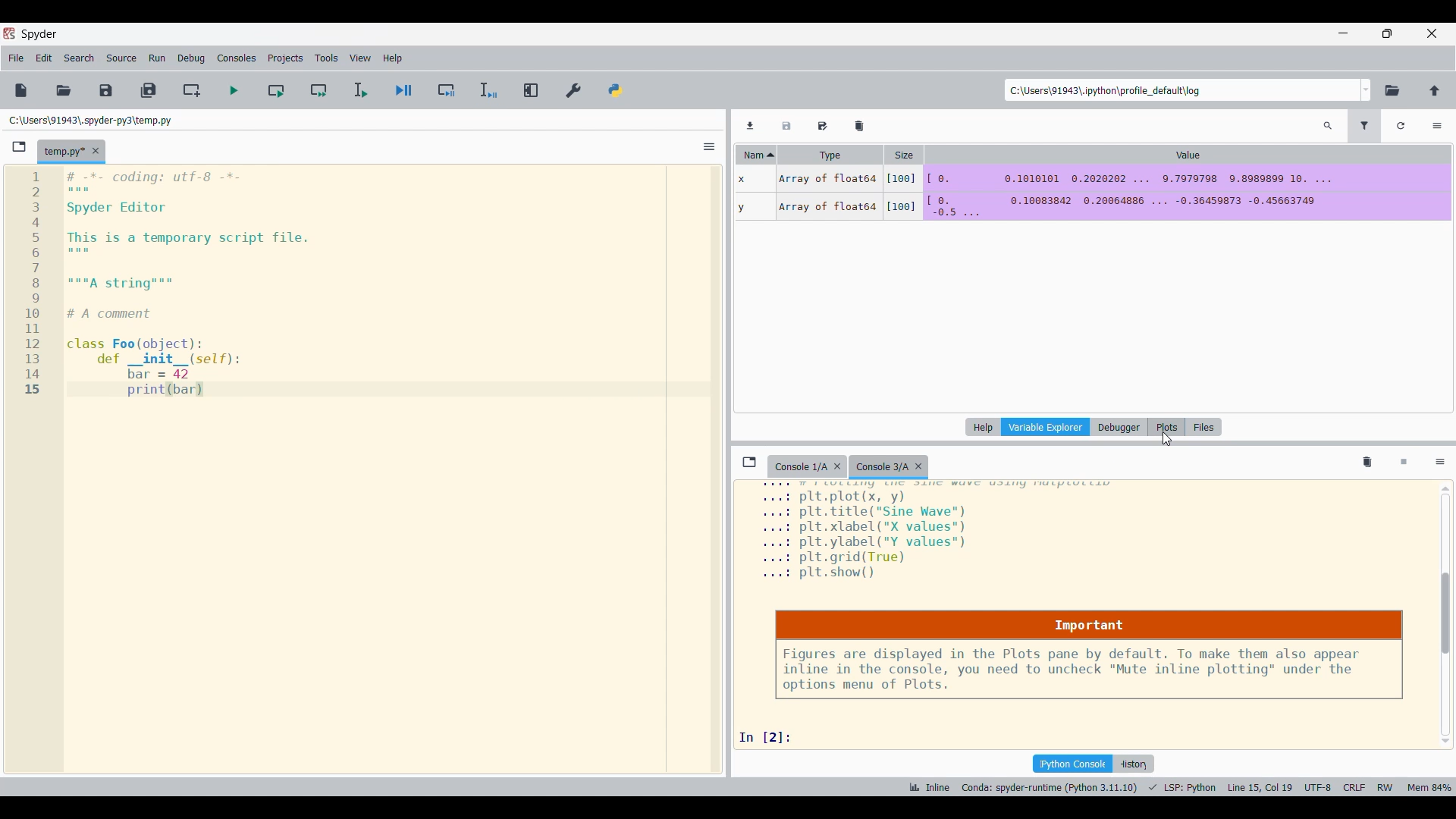 This screenshot has width=1456, height=819. I want to click on Show in smaller tab, so click(1387, 33).